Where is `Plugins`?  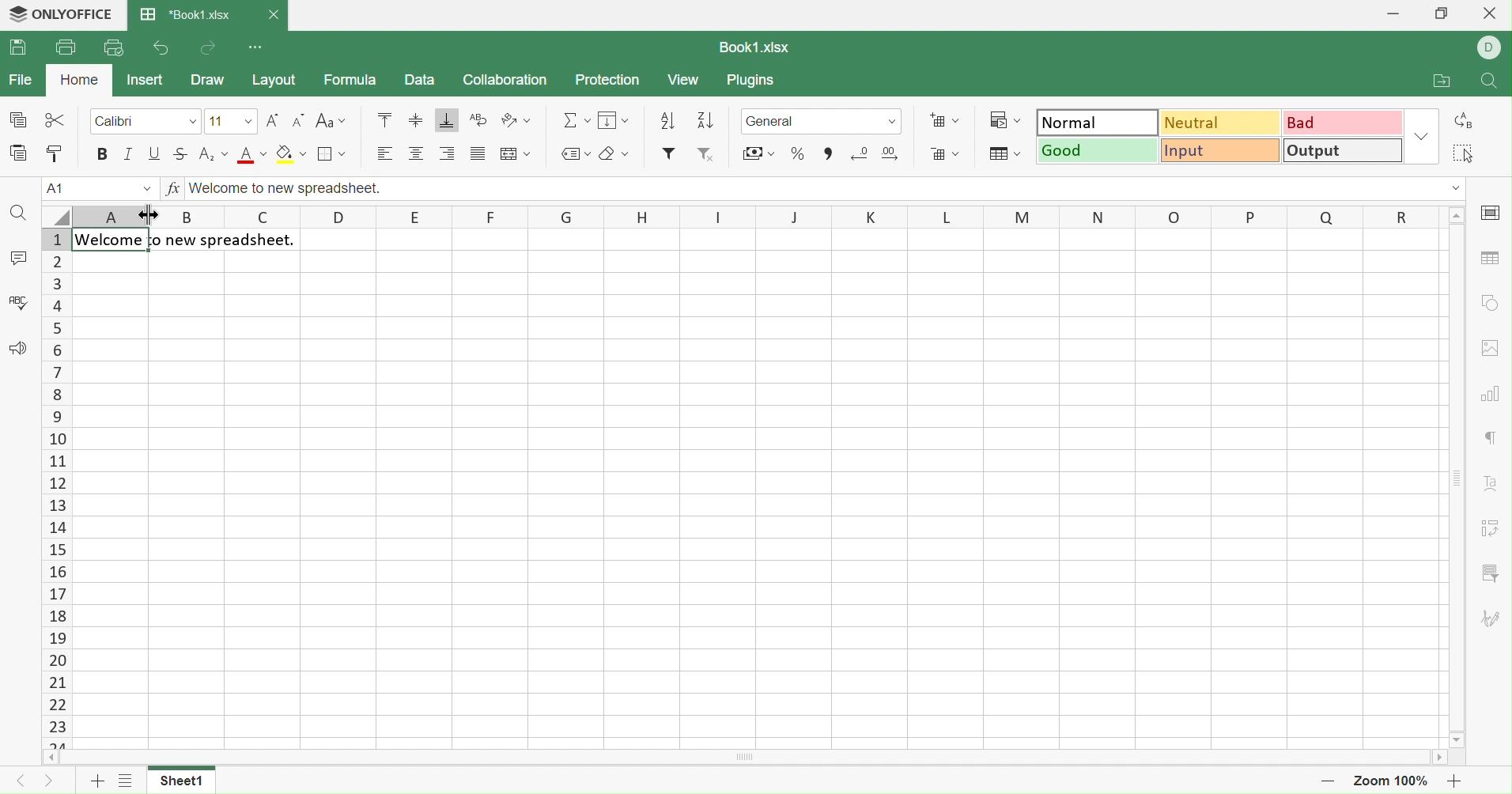 Plugins is located at coordinates (754, 81).